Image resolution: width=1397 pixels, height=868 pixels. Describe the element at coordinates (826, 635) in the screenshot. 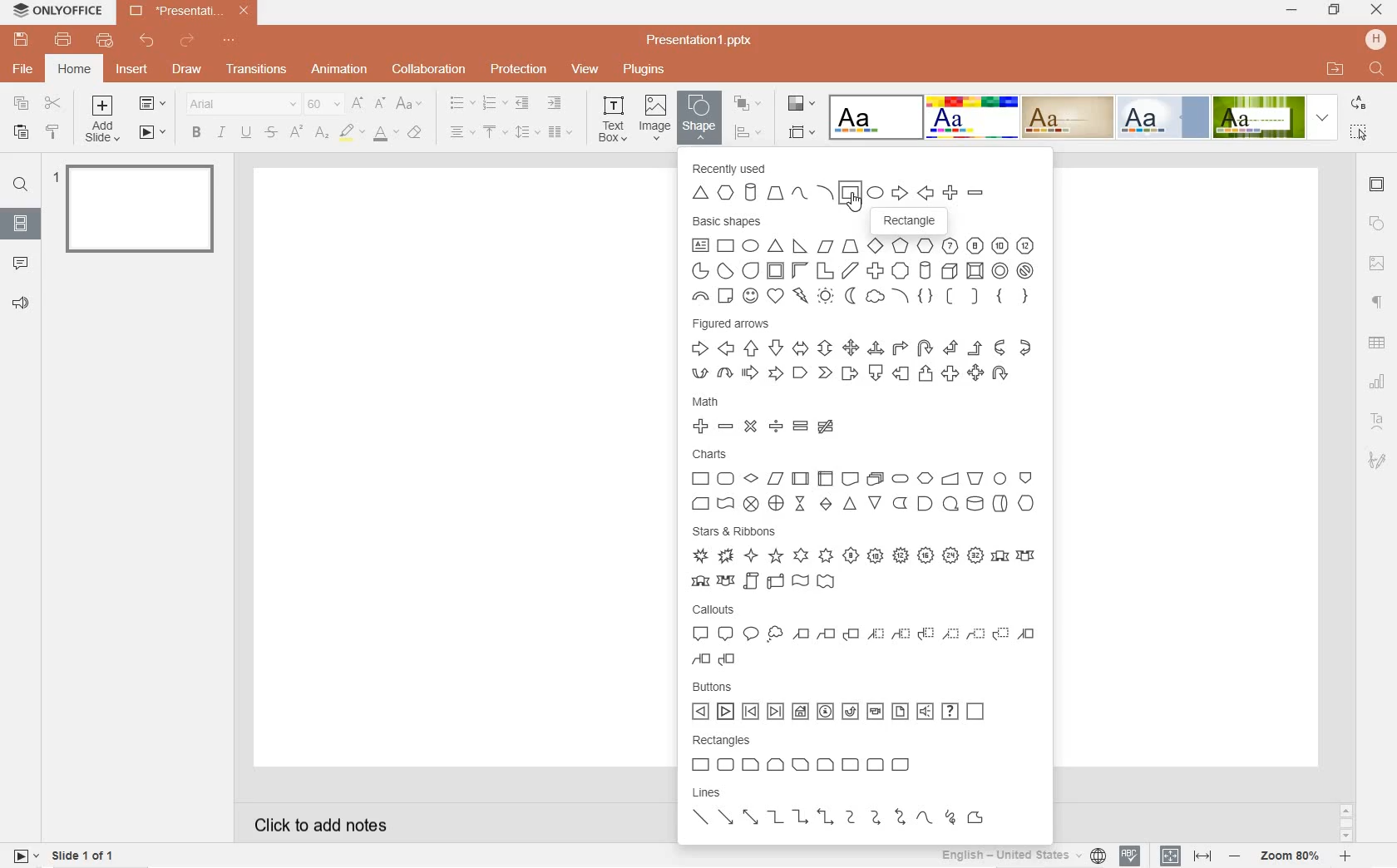

I see `Line Callout 2` at that location.